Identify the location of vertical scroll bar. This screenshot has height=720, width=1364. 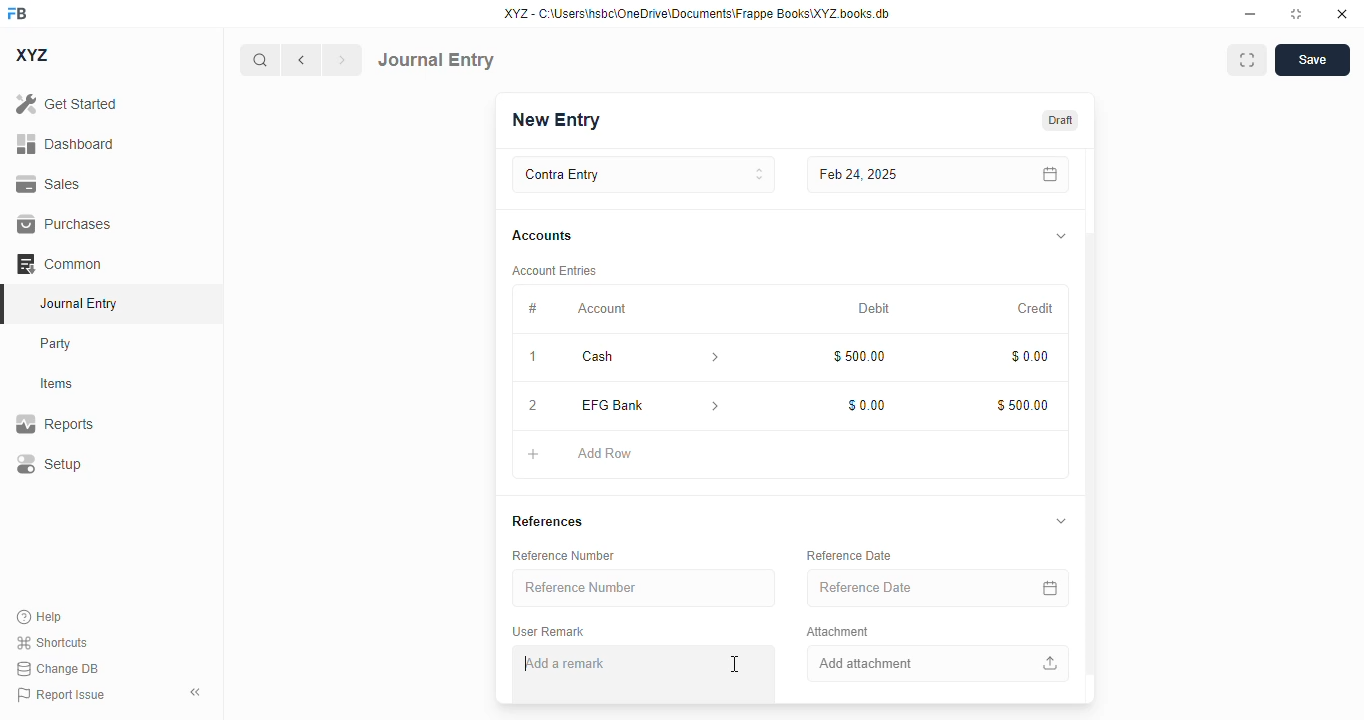
(1090, 426).